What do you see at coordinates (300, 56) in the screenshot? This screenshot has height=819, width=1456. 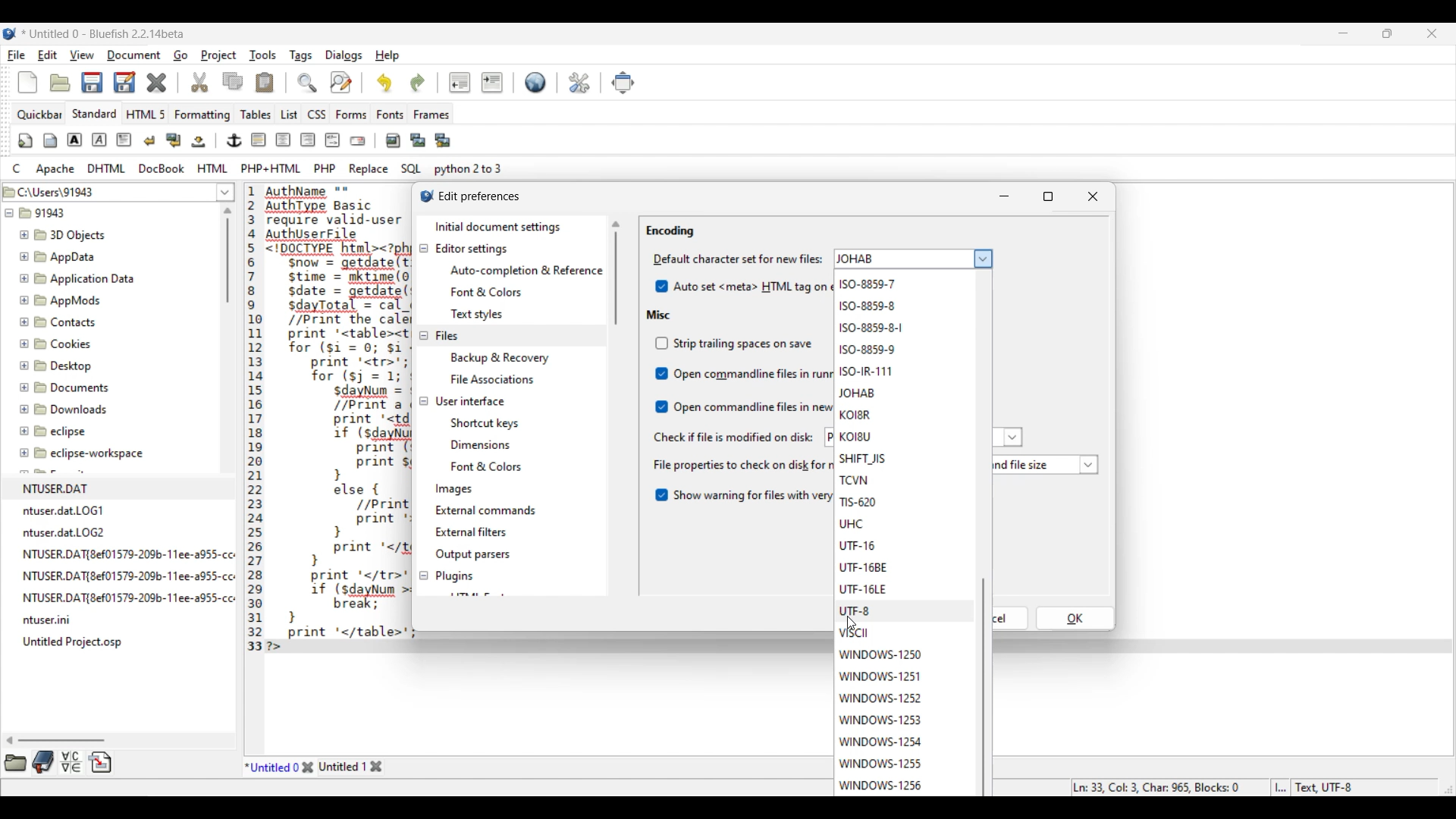 I see `Tags menu` at bounding box center [300, 56].